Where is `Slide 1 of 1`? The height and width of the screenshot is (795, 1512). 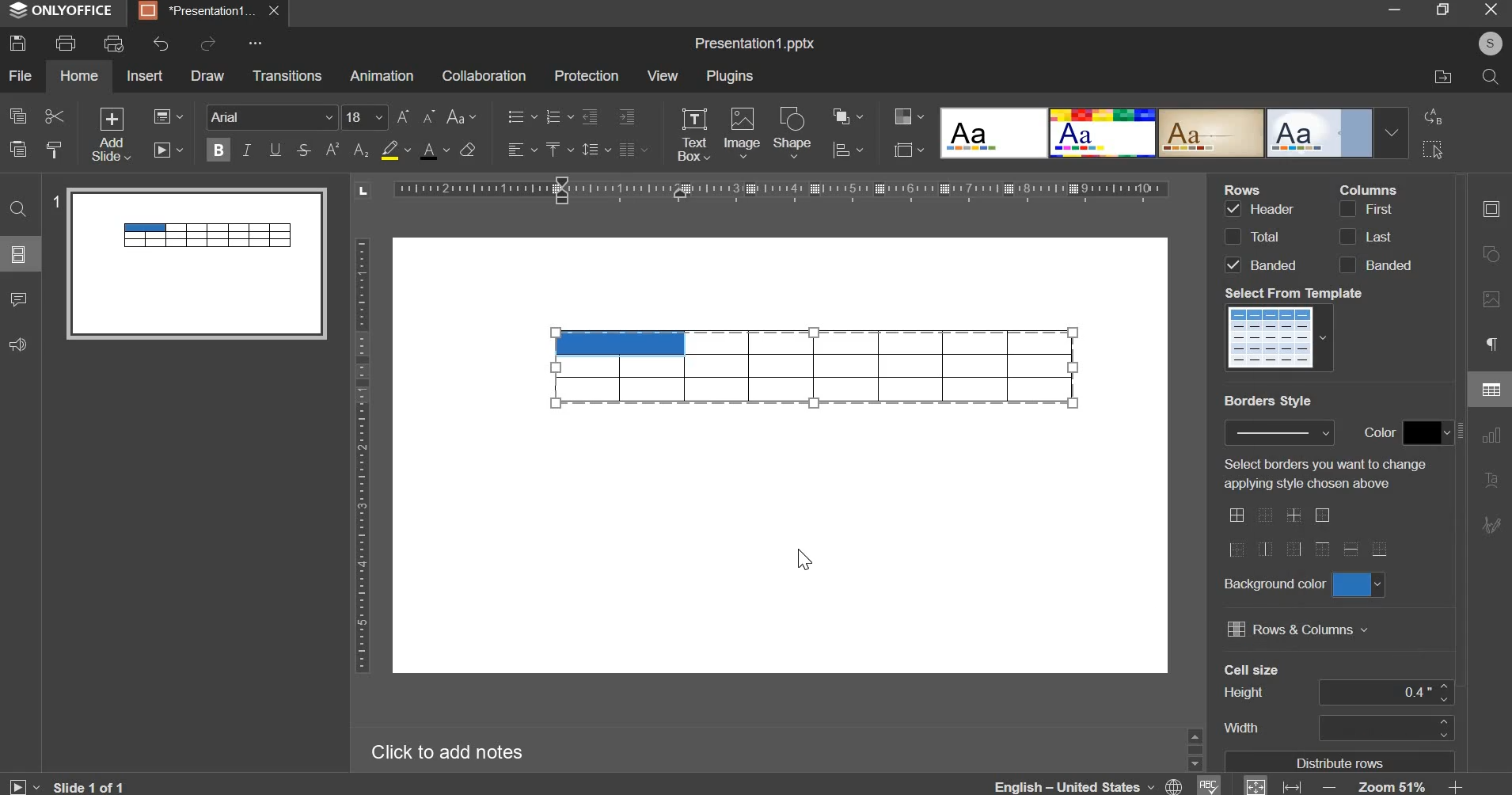
Slide 1 of 1 is located at coordinates (66, 786).